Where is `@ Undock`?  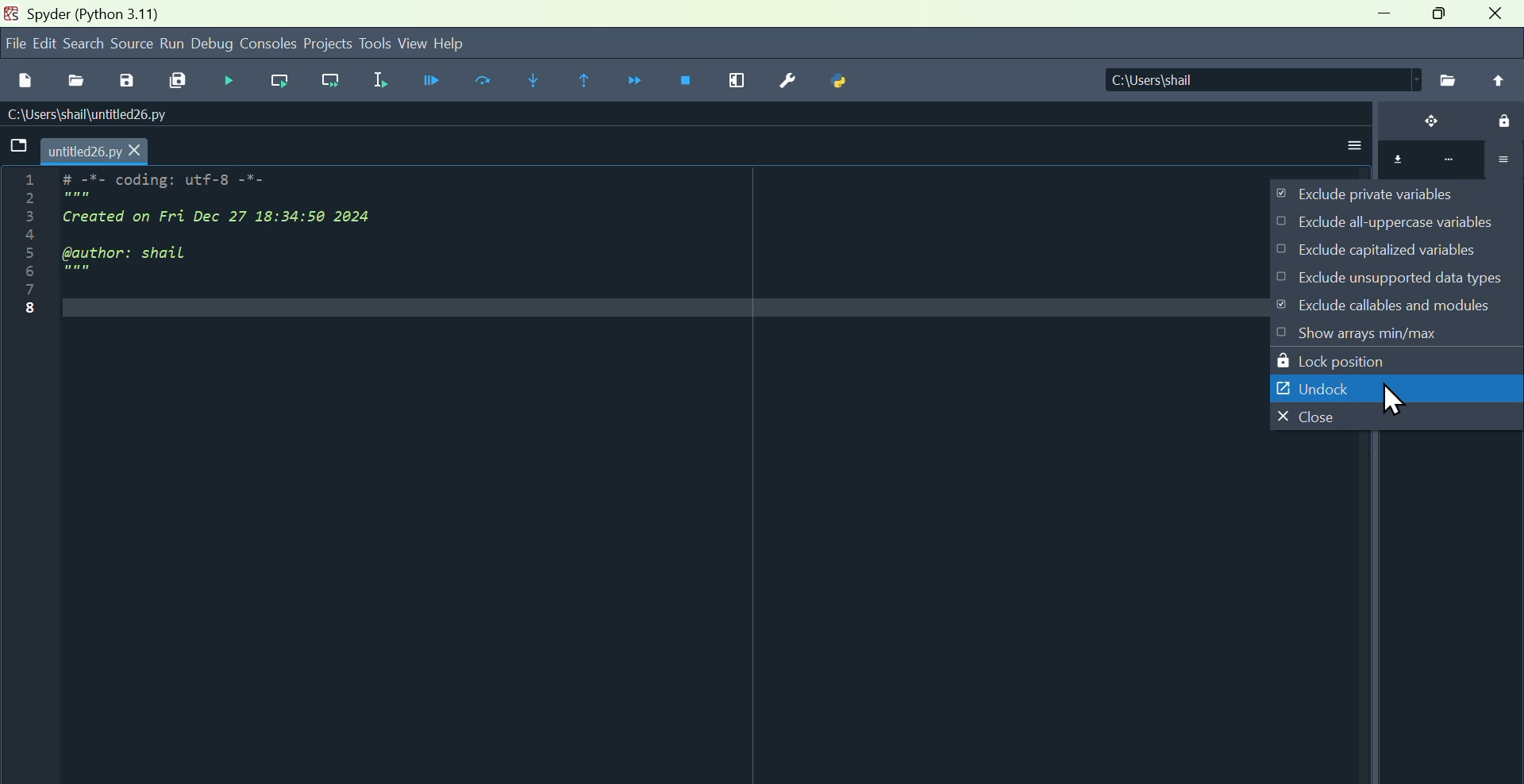
@ Undock is located at coordinates (1307, 384).